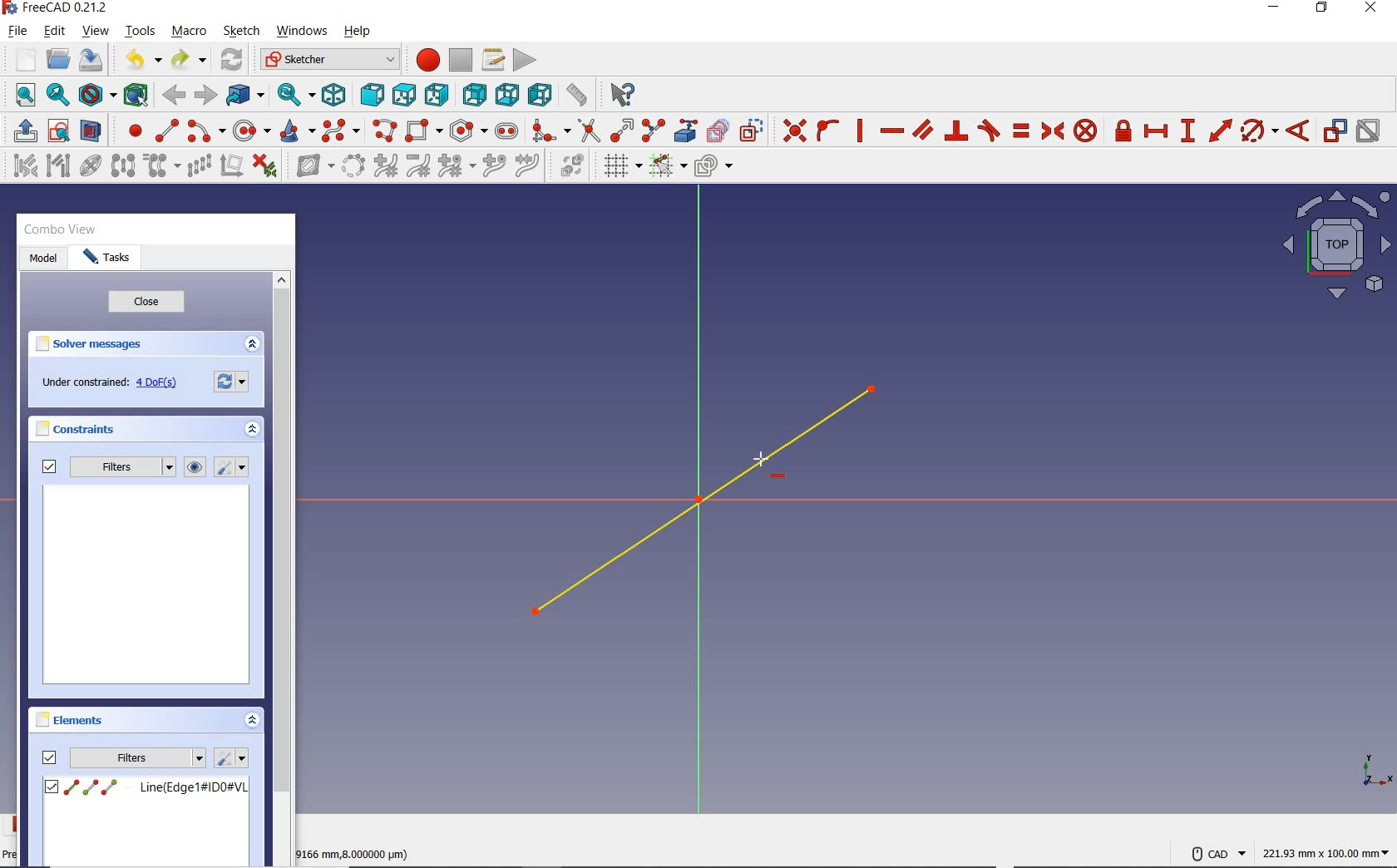 The height and width of the screenshot is (868, 1397). Describe the element at coordinates (144, 303) in the screenshot. I see `CLOSE` at that location.